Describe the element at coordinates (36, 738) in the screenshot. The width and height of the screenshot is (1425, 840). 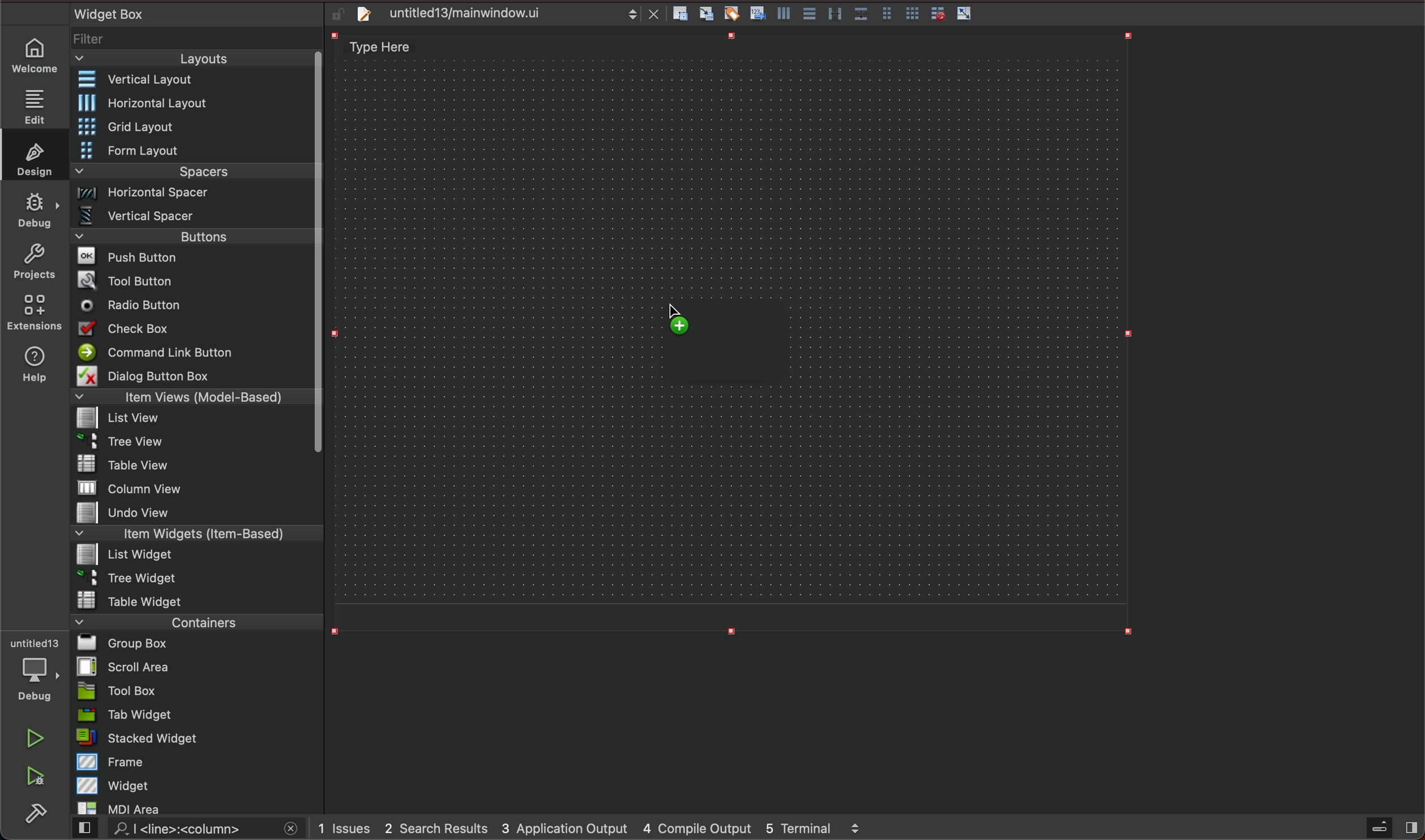
I see `` at that location.